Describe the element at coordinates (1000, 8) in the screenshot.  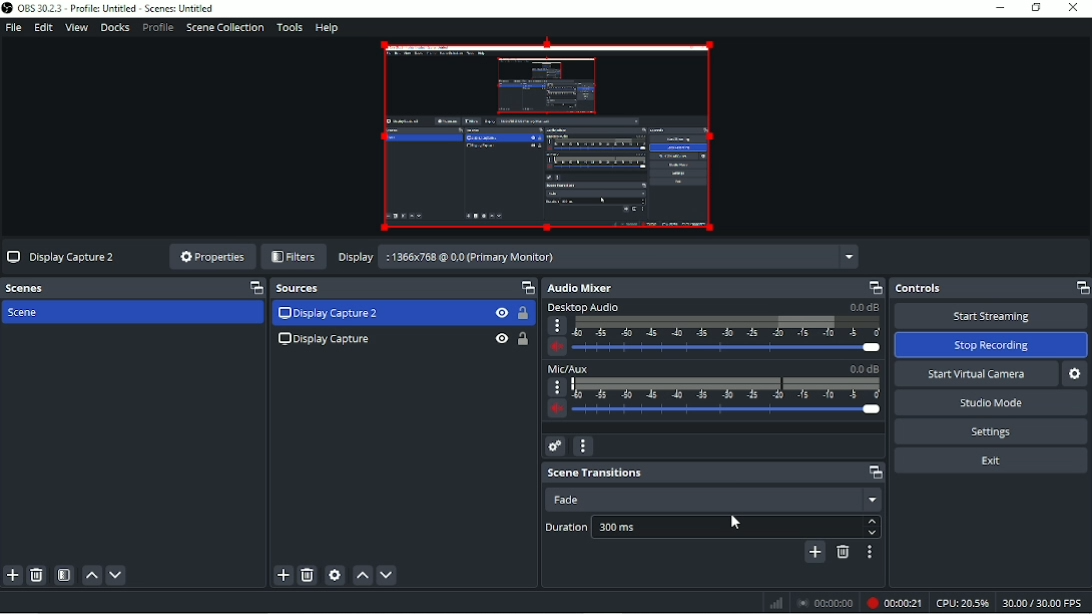
I see `Minimize` at that location.